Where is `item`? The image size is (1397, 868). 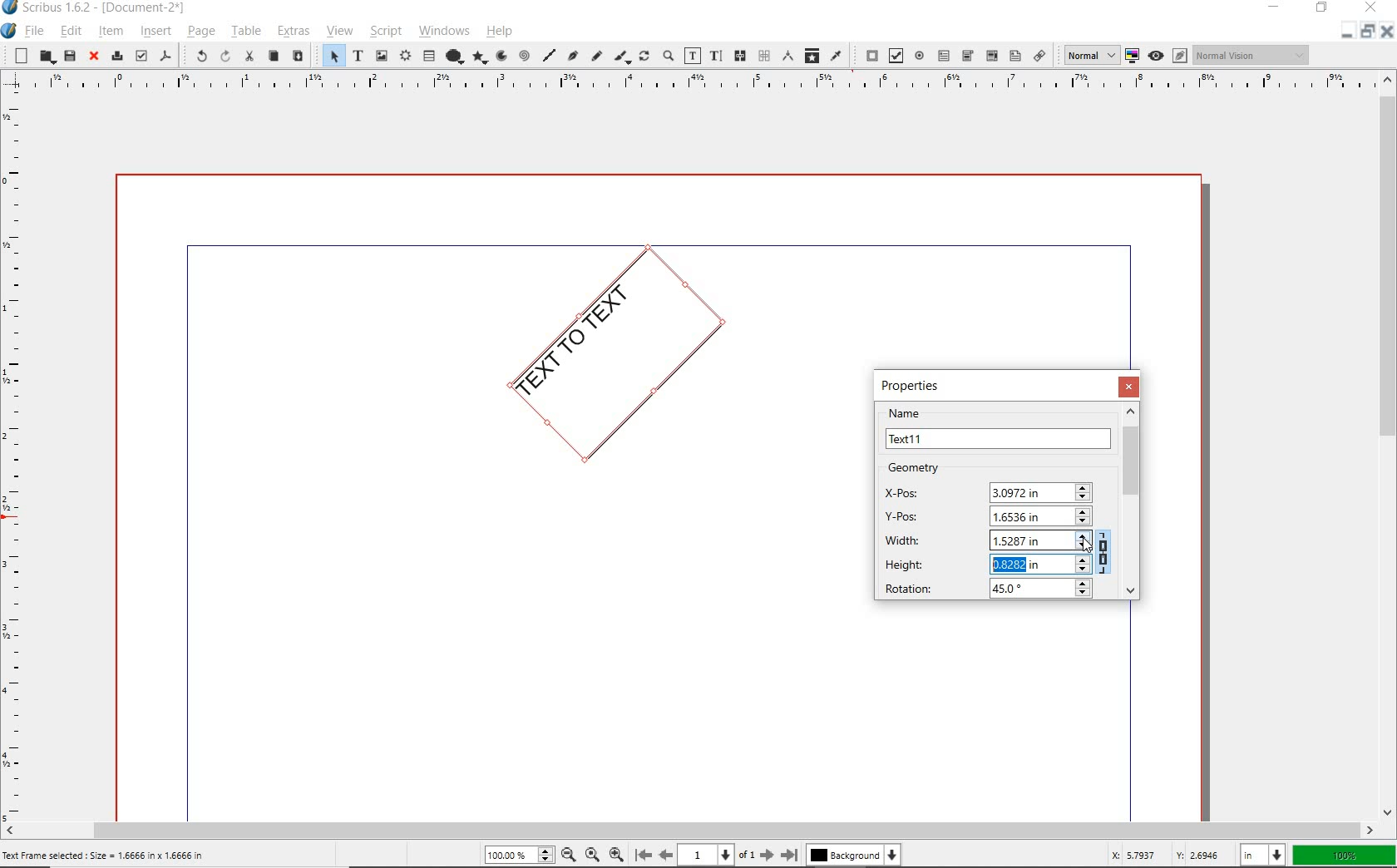
item is located at coordinates (109, 32).